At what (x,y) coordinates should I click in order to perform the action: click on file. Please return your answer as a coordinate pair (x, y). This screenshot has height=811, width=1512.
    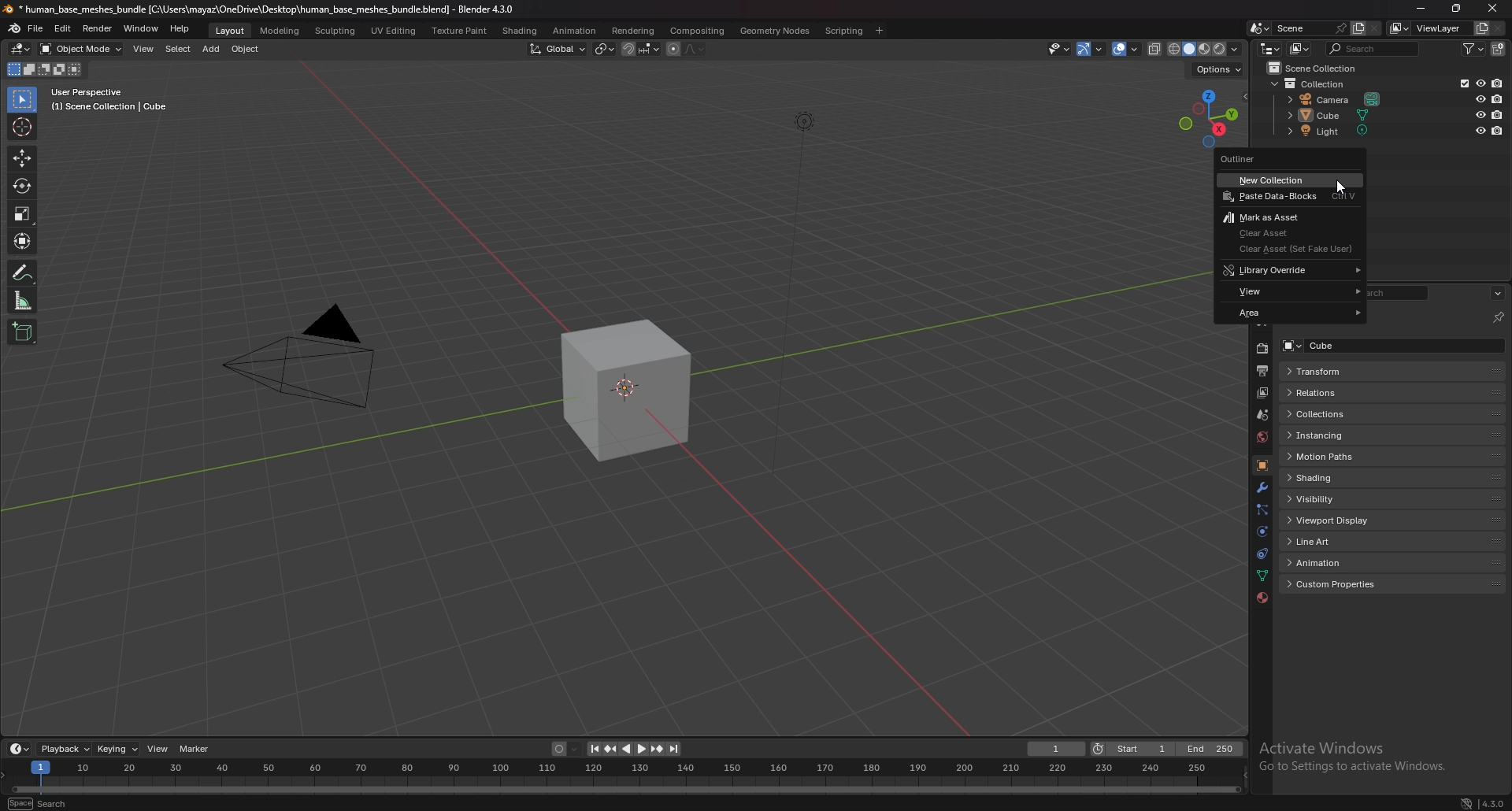
    Looking at the image, I should click on (36, 29).